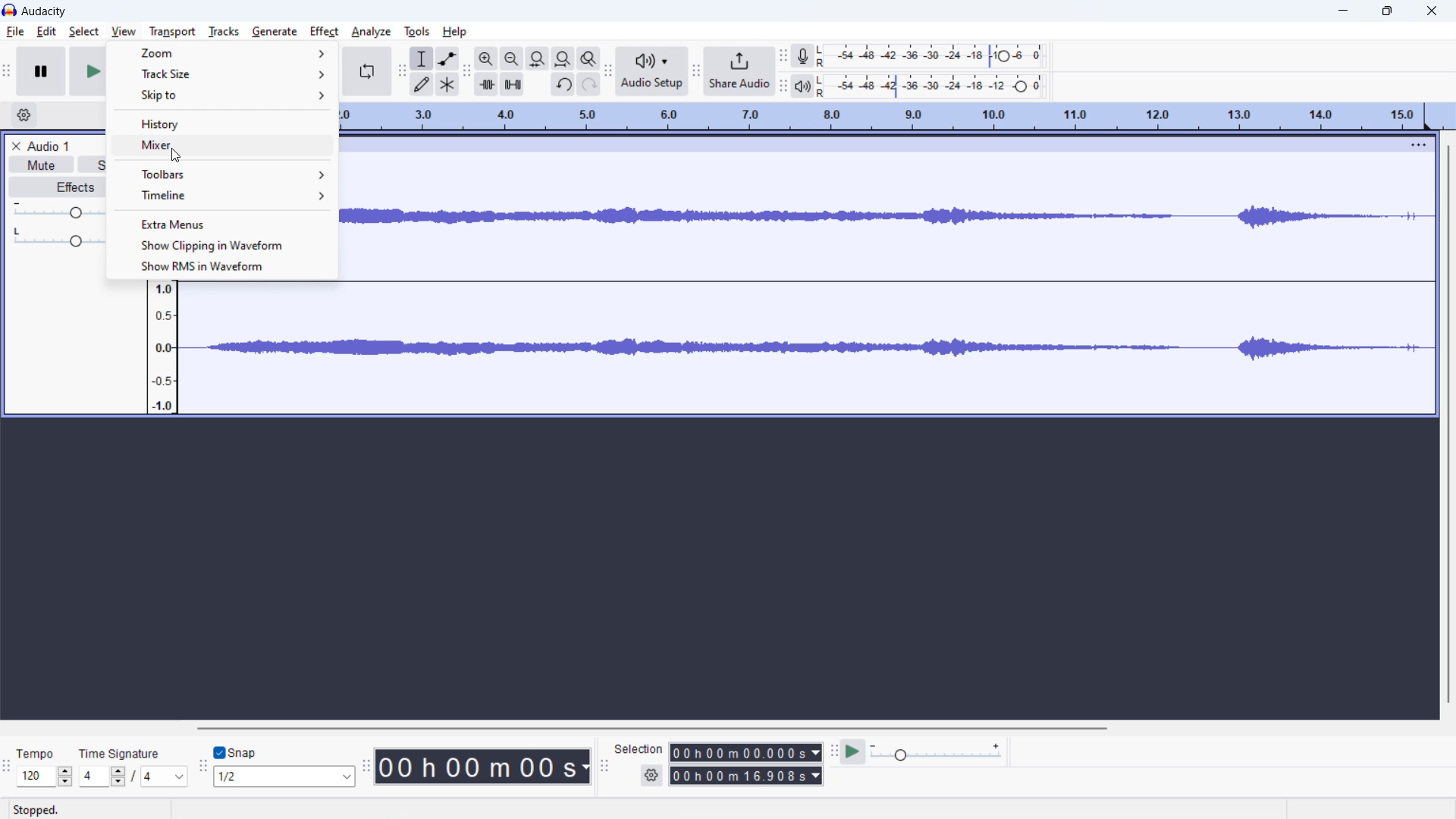 The width and height of the screenshot is (1456, 819). Describe the element at coordinates (824, 69) in the screenshot. I see `L R L R` at that location.